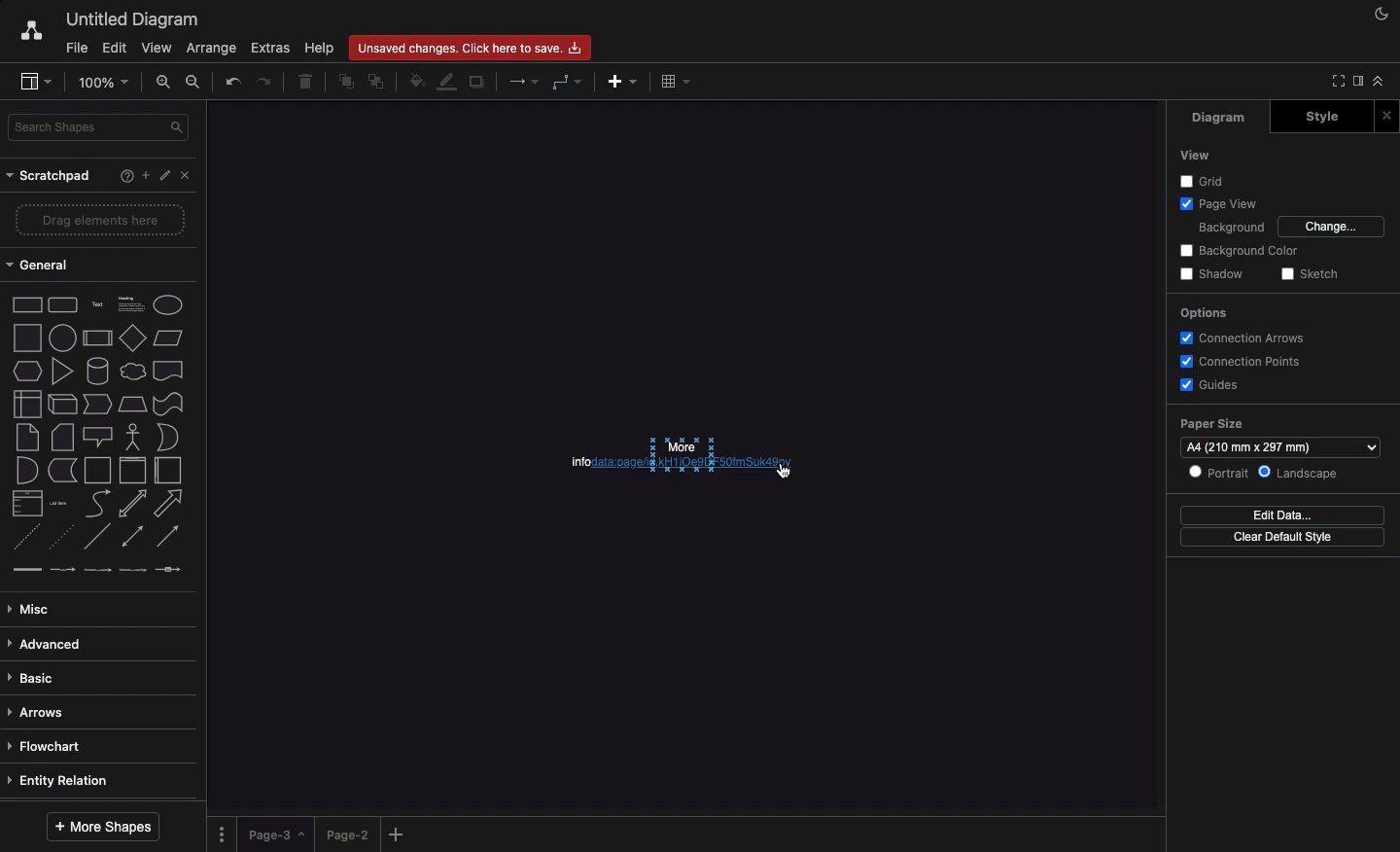 The height and width of the screenshot is (852, 1400). What do you see at coordinates (100, 127) in the screenshot?
I see `Search shapes` at bounding box center [100, 127].